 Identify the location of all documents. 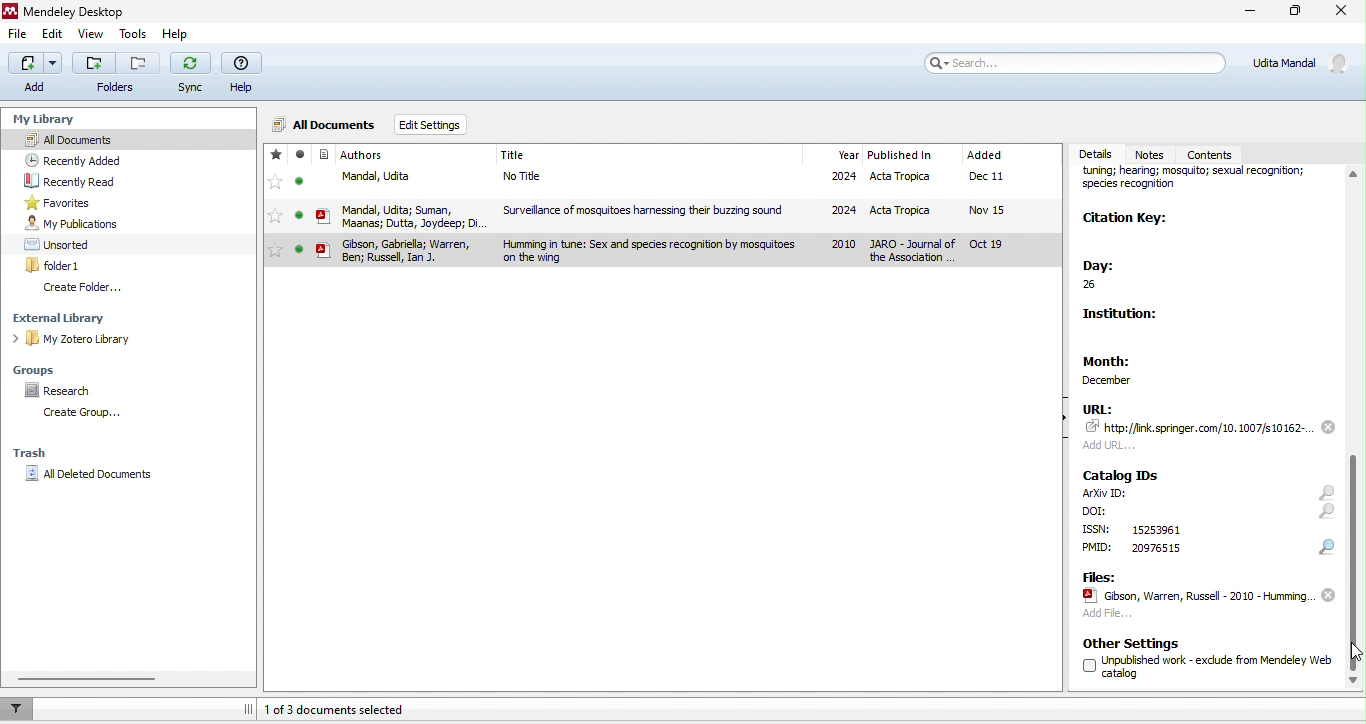
(325, 122).